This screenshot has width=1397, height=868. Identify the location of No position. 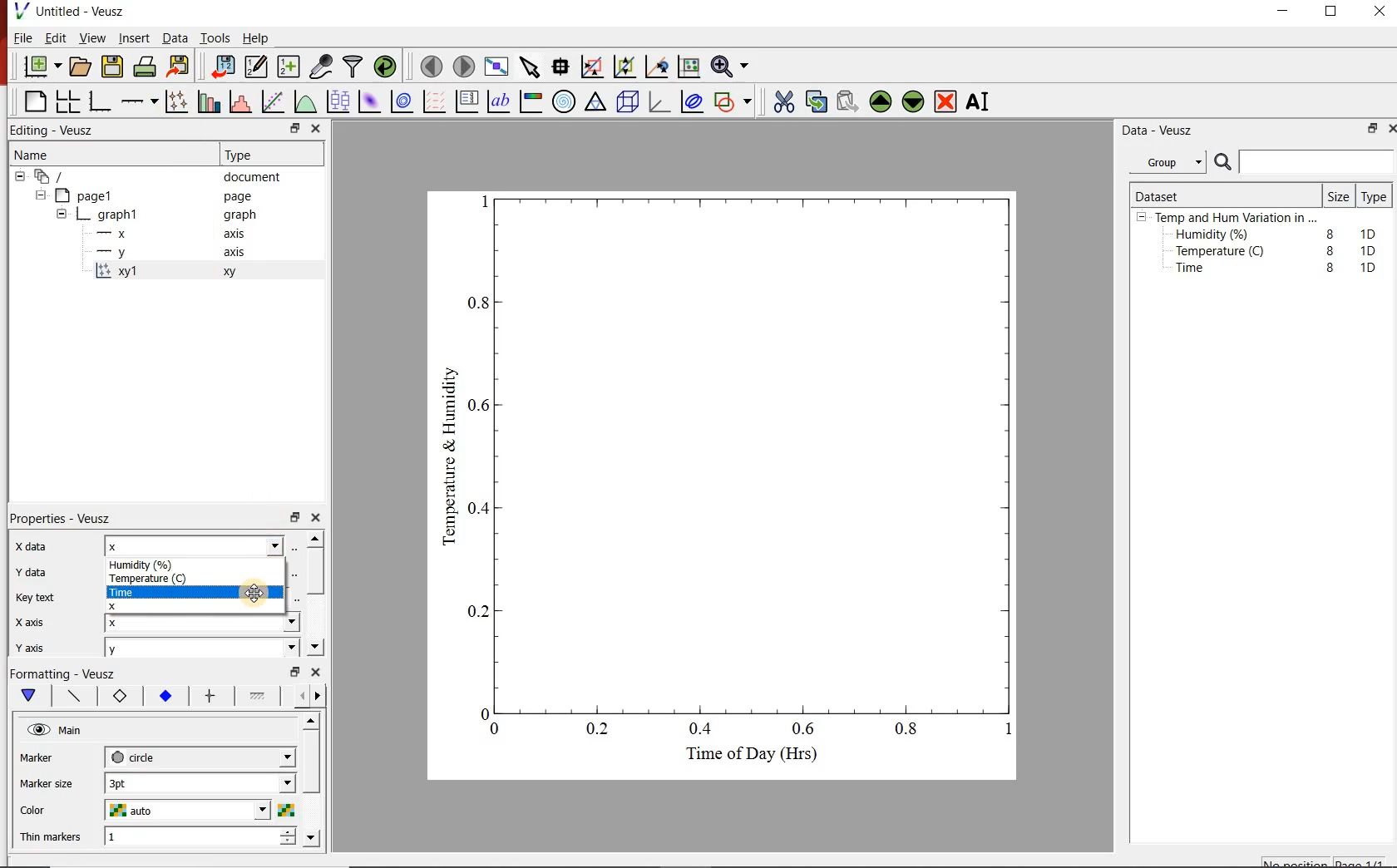
(1296, 862).